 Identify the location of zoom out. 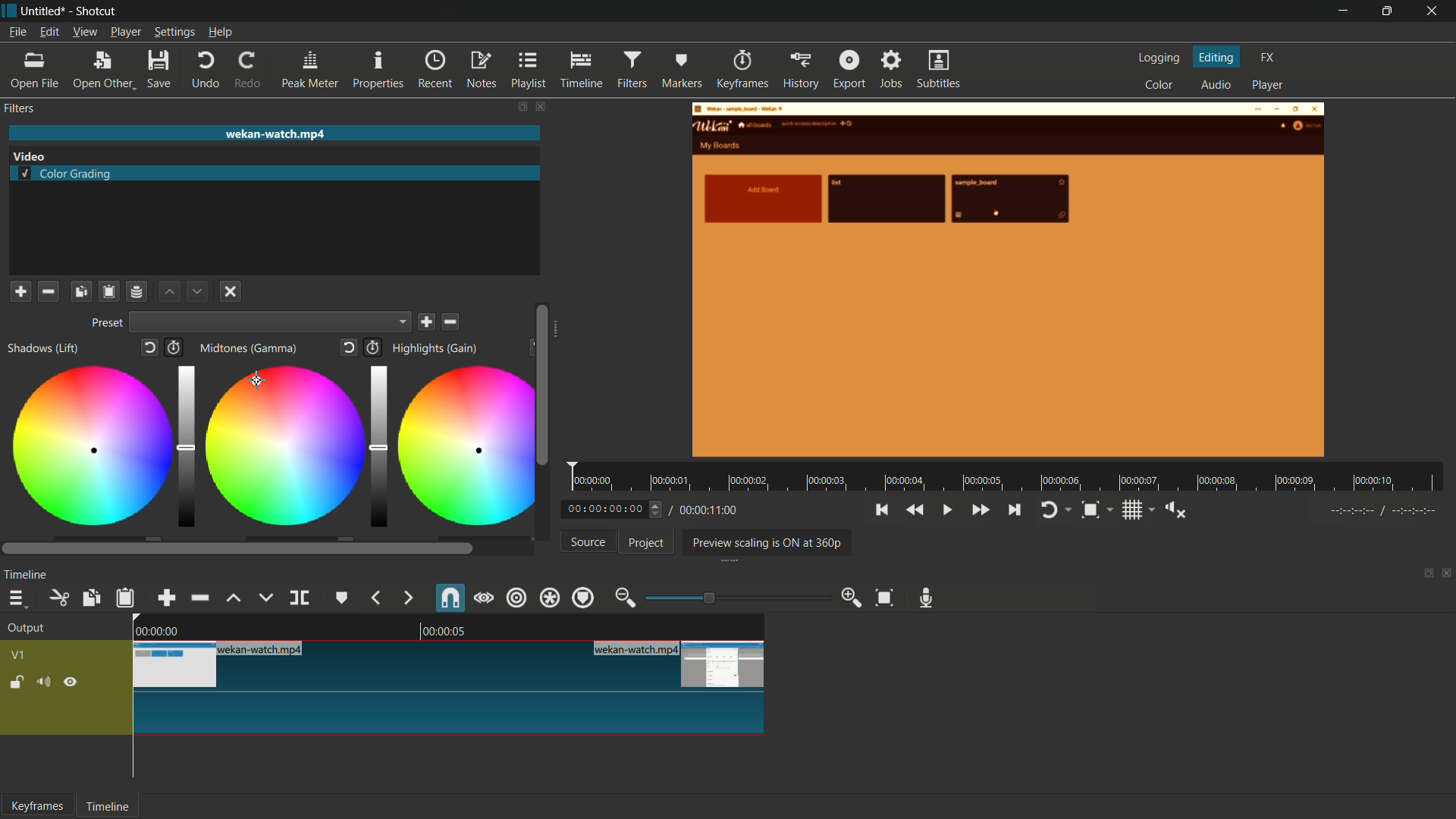
(624, 597).